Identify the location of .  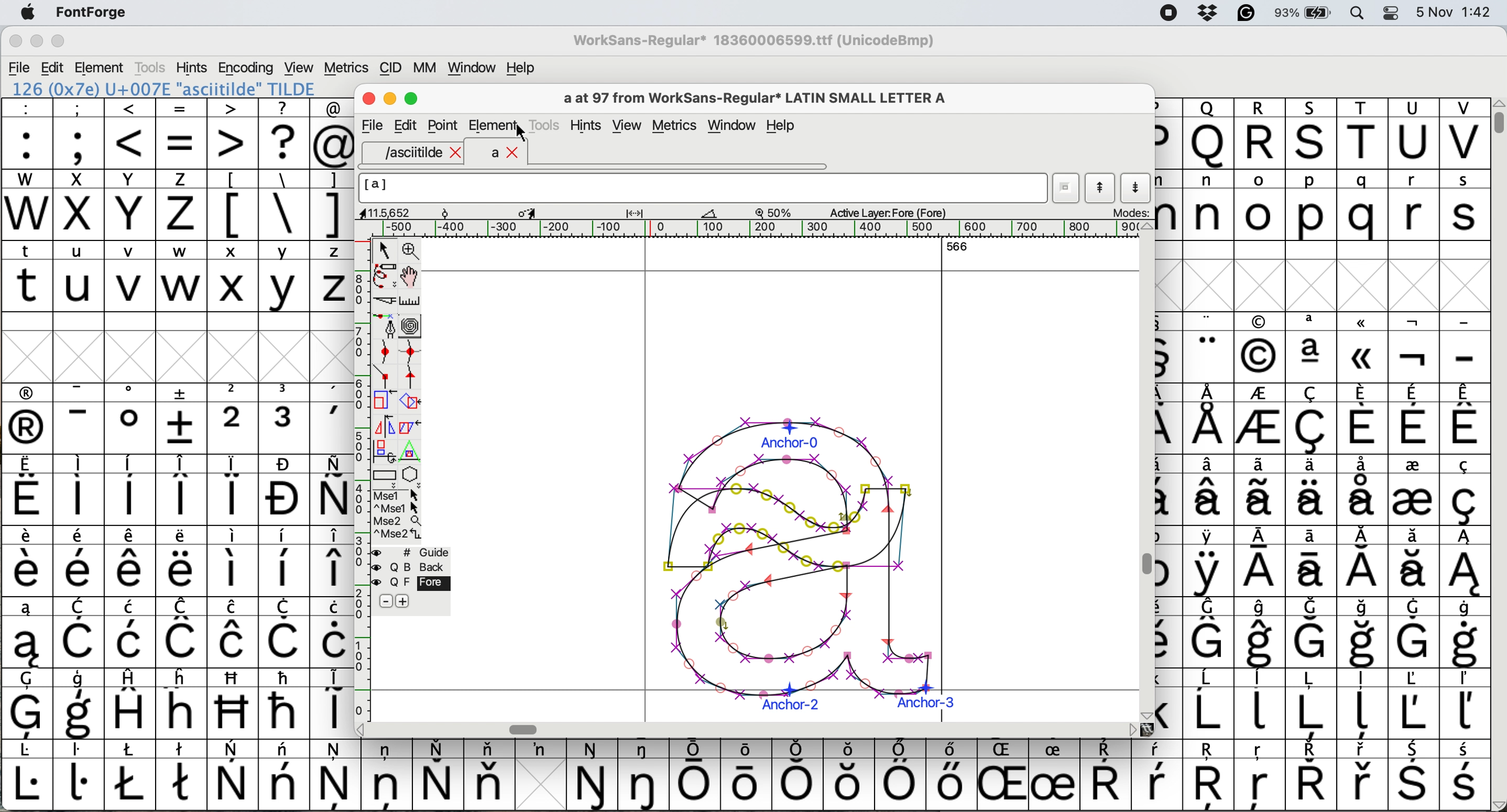
(1261, 776).